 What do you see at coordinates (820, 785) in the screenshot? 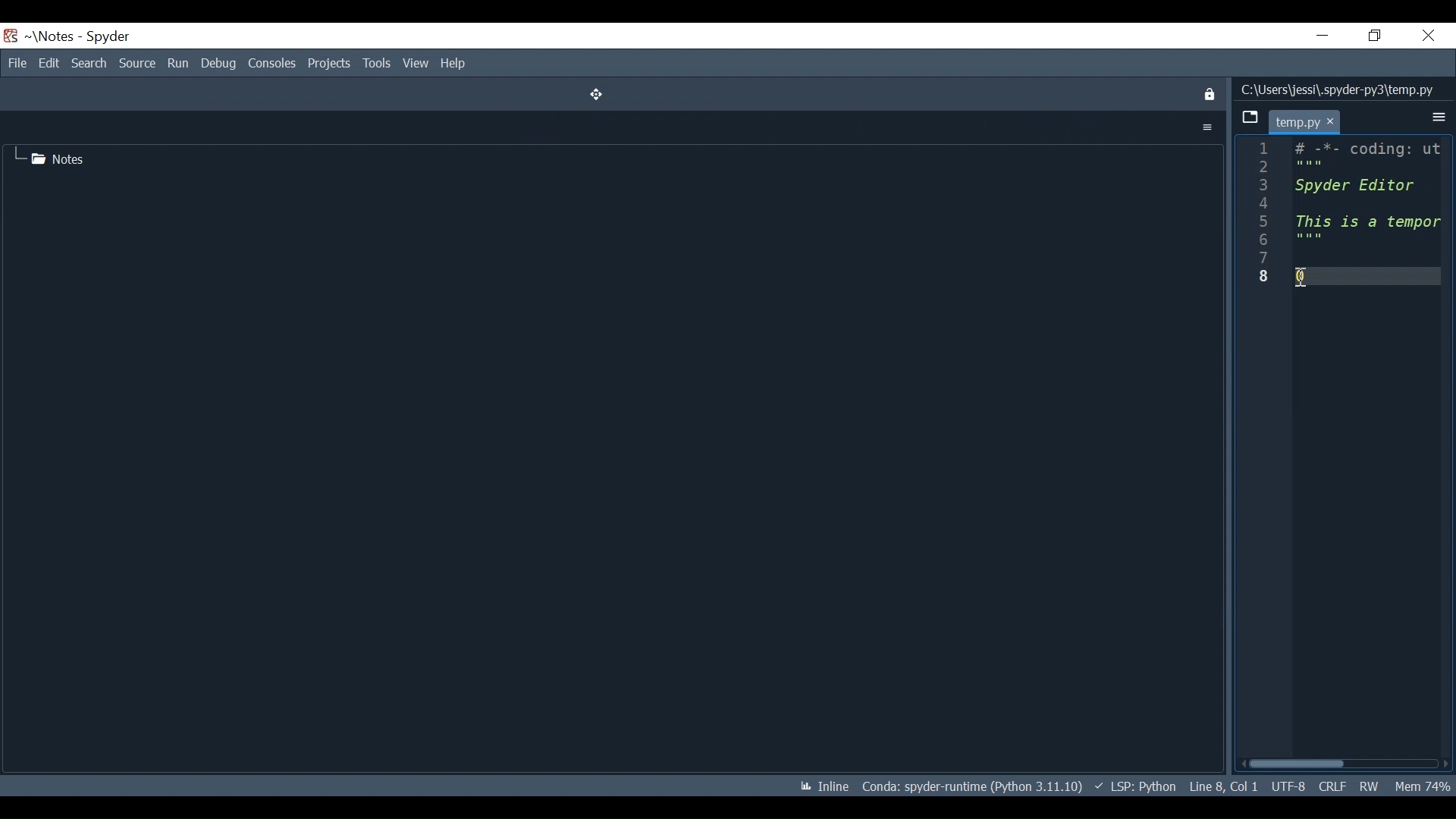
I see `Inline` at bounding box center [820, 785].